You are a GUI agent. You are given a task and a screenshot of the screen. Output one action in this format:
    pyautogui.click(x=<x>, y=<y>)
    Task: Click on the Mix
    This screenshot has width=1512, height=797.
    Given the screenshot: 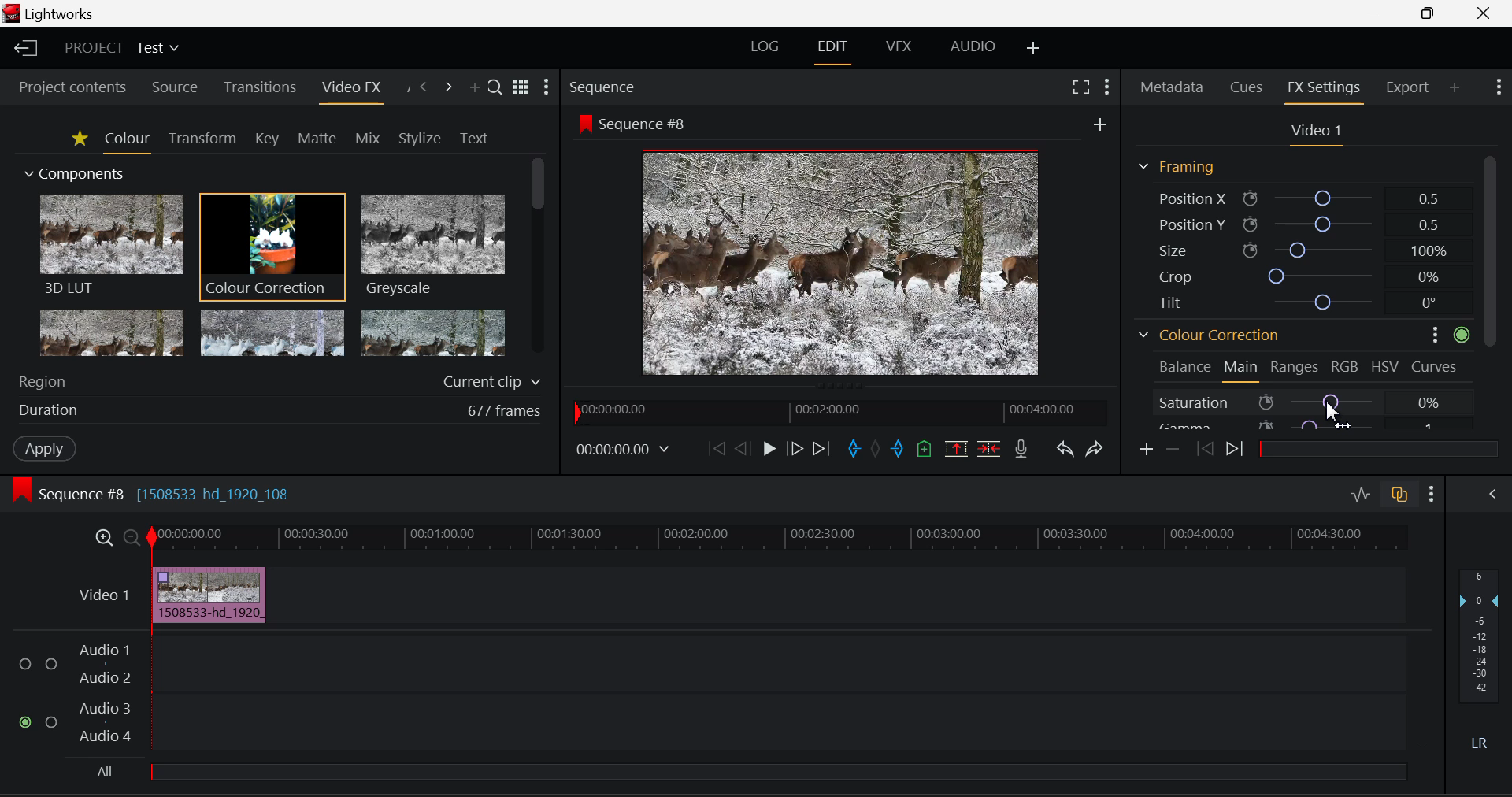 What is the action you would take?
    pyautogui.click(x=369, y=137)
    